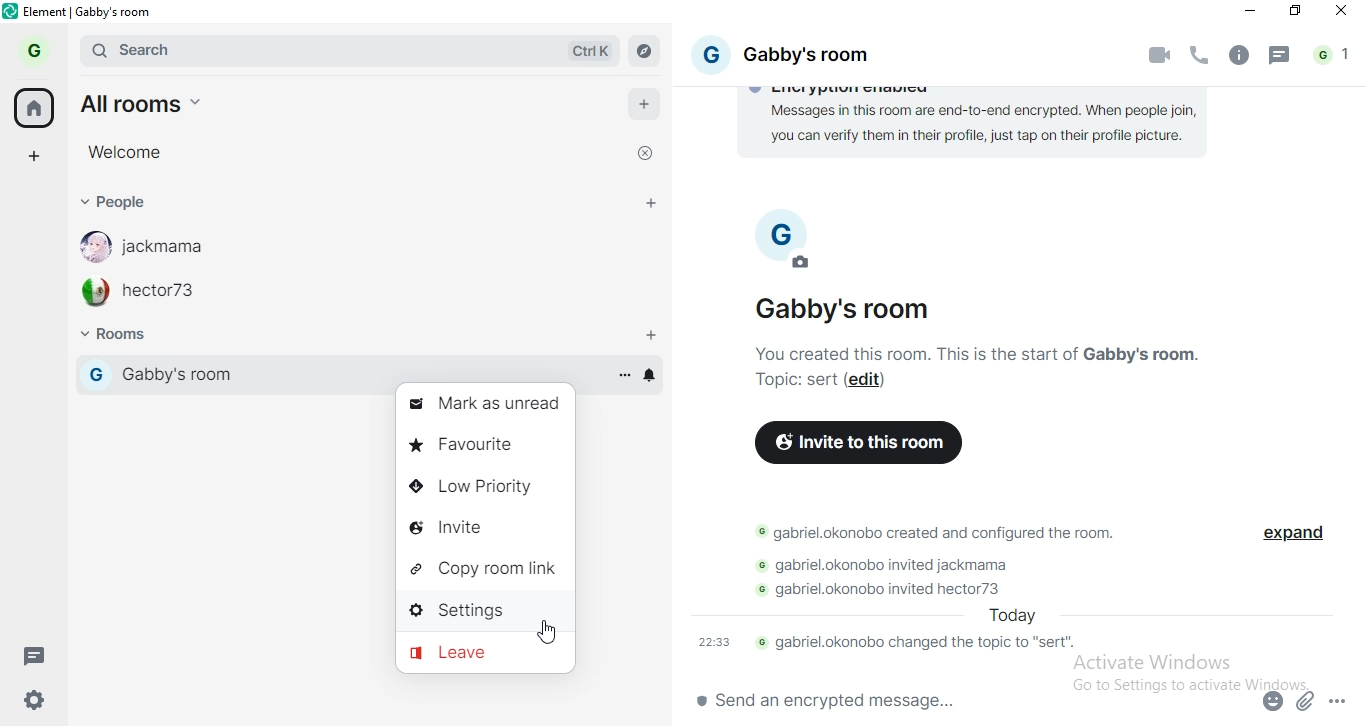 The image size is (1366, 726). I want to click on add, so click(646, 108).